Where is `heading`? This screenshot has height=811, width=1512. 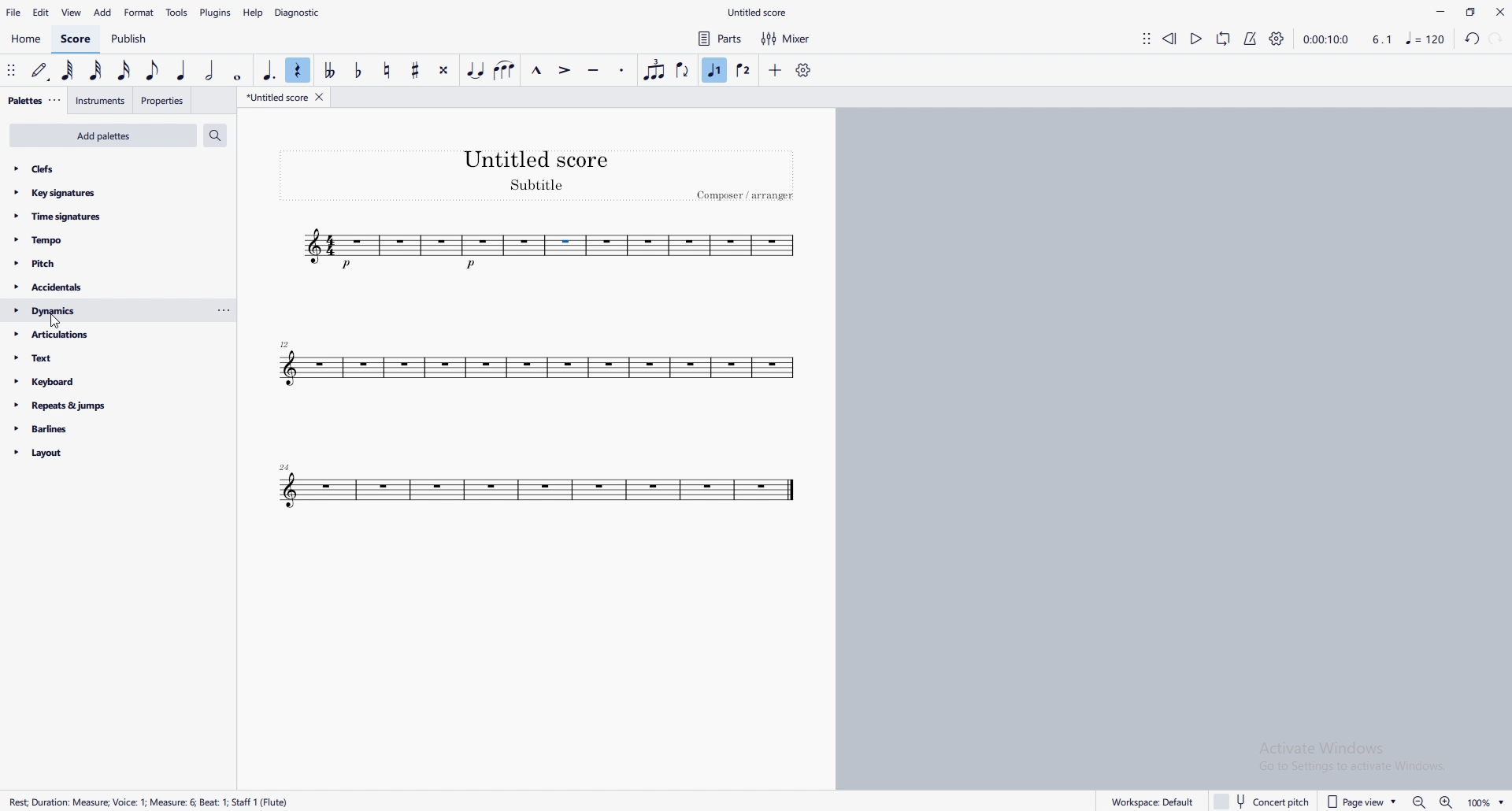
heading is located at coordinates (538, 175).